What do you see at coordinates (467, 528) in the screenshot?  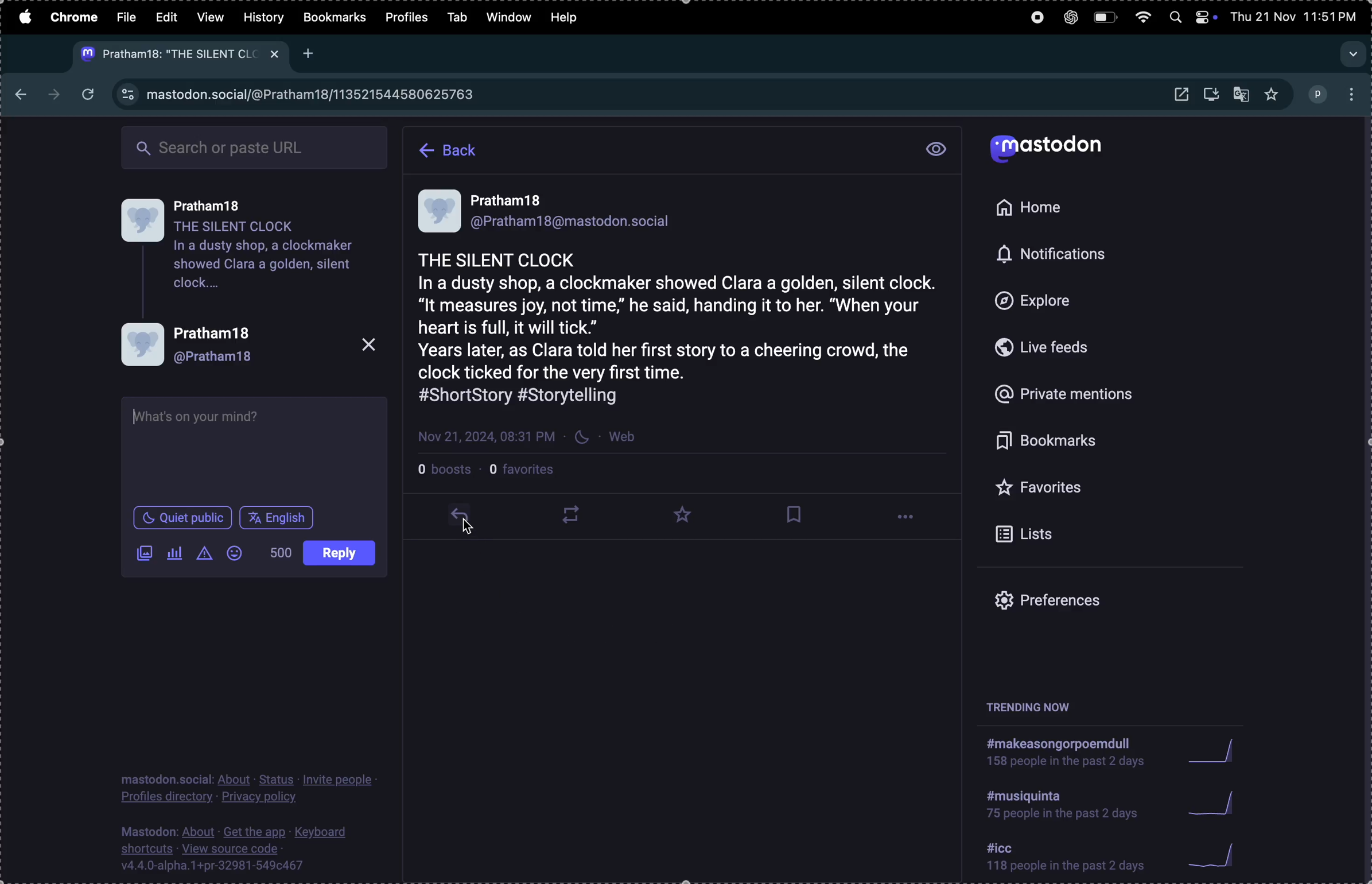 I see `cursor` at bounding box center [467, 528].